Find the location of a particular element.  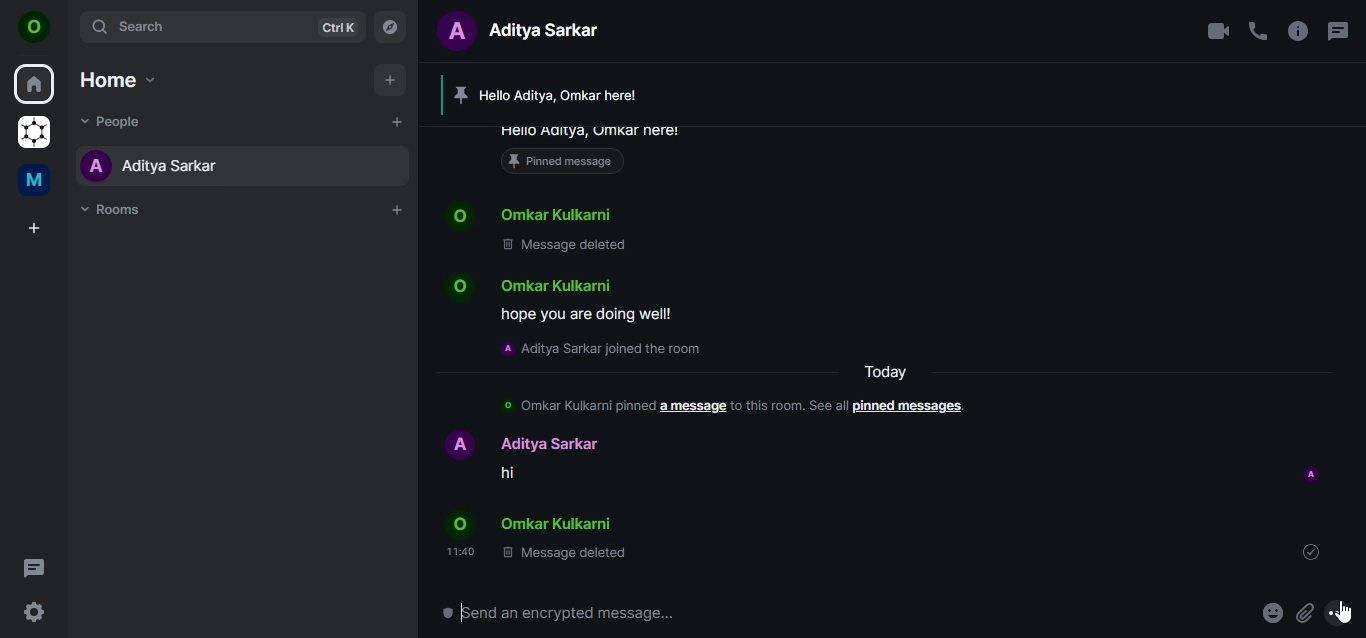

aditya sarkar is located at coordinates (151, 165).